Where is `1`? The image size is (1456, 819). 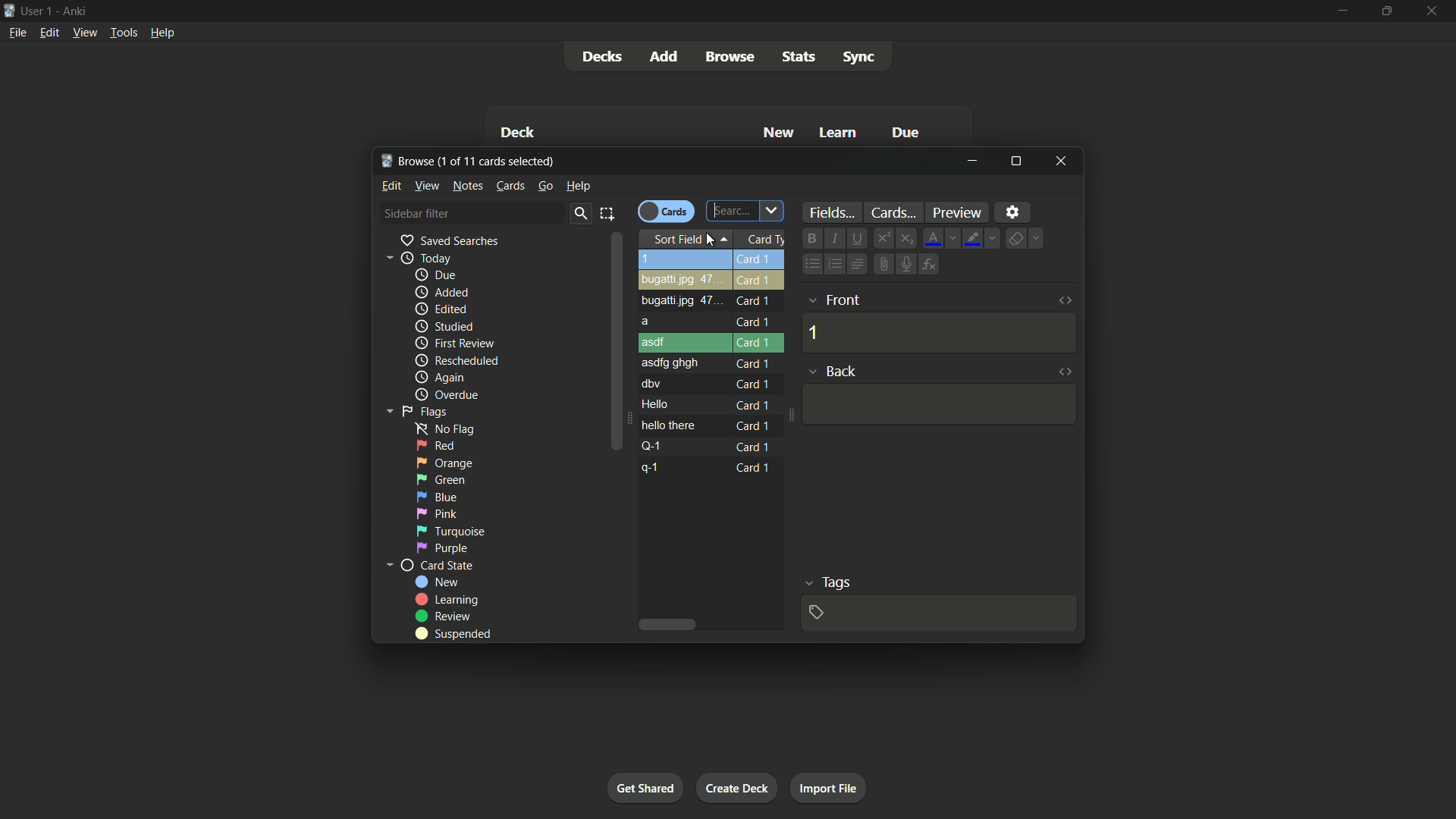 1 is located at coordinates (646, 259).